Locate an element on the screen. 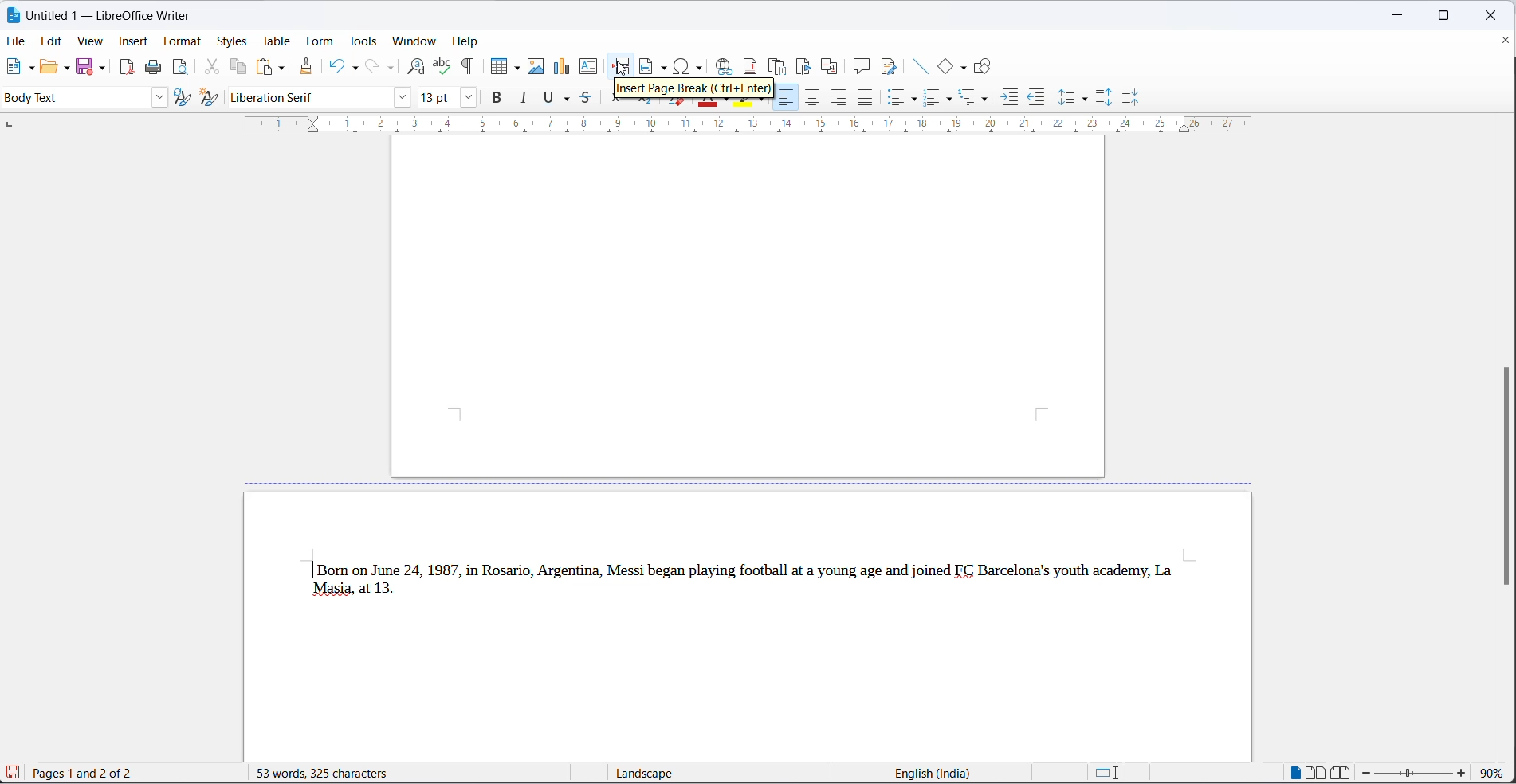 Image resolution: width=1516 pixels, height=784 pixels. font size options is located at coordinates (470, 99).